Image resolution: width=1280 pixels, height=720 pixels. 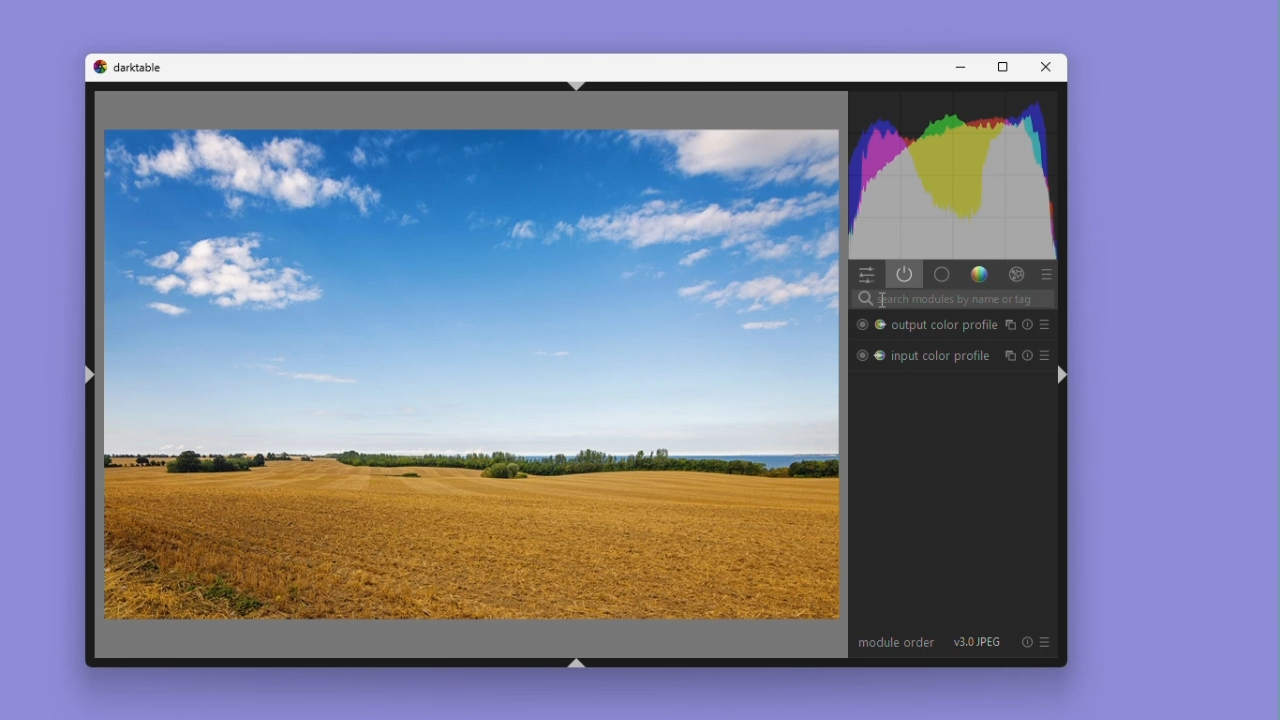 I want to click on Show only active models, so click(x=905, y=275).